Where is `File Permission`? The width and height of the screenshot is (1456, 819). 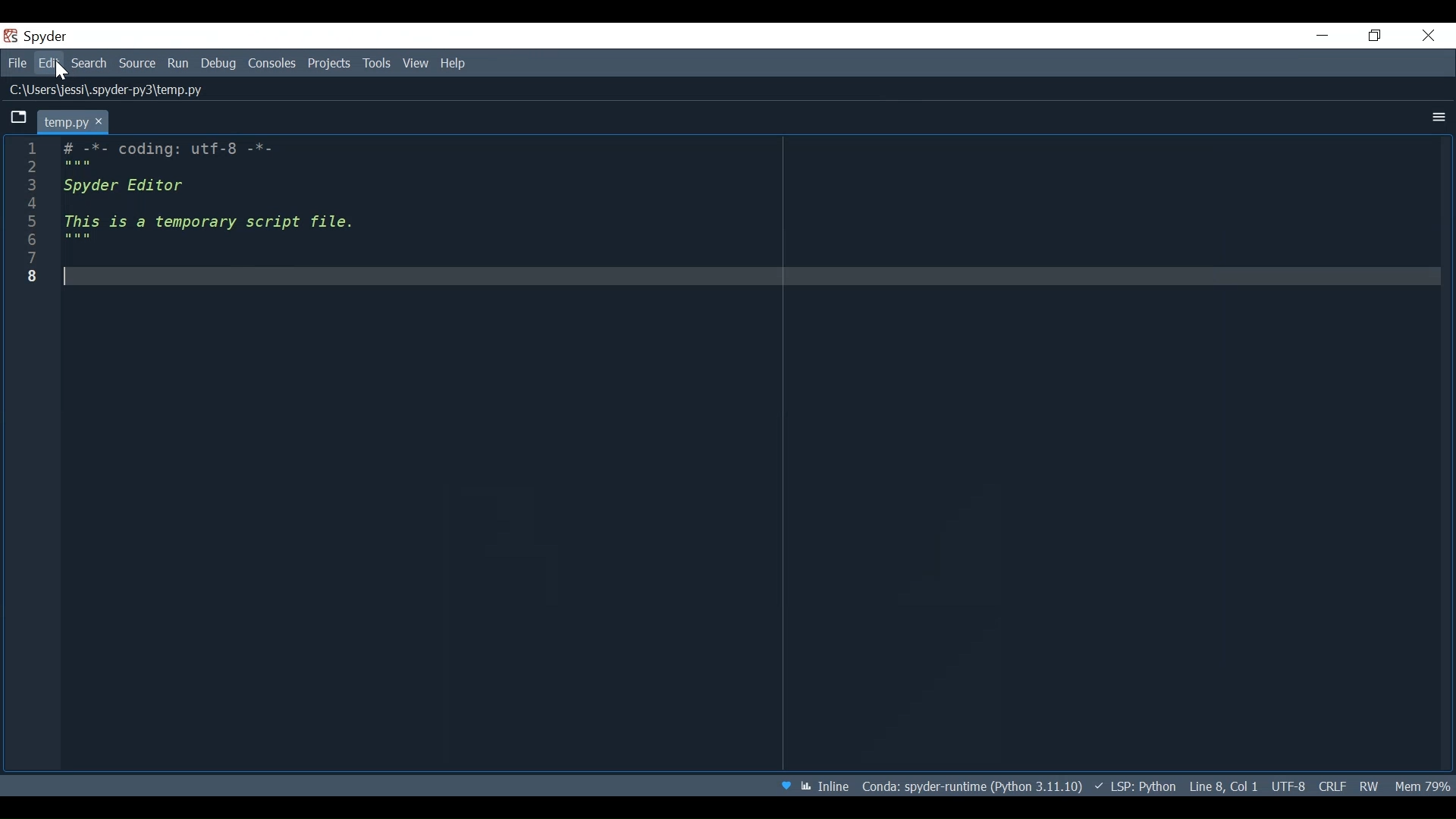 File Permission is located at coordinates (1369, 786).